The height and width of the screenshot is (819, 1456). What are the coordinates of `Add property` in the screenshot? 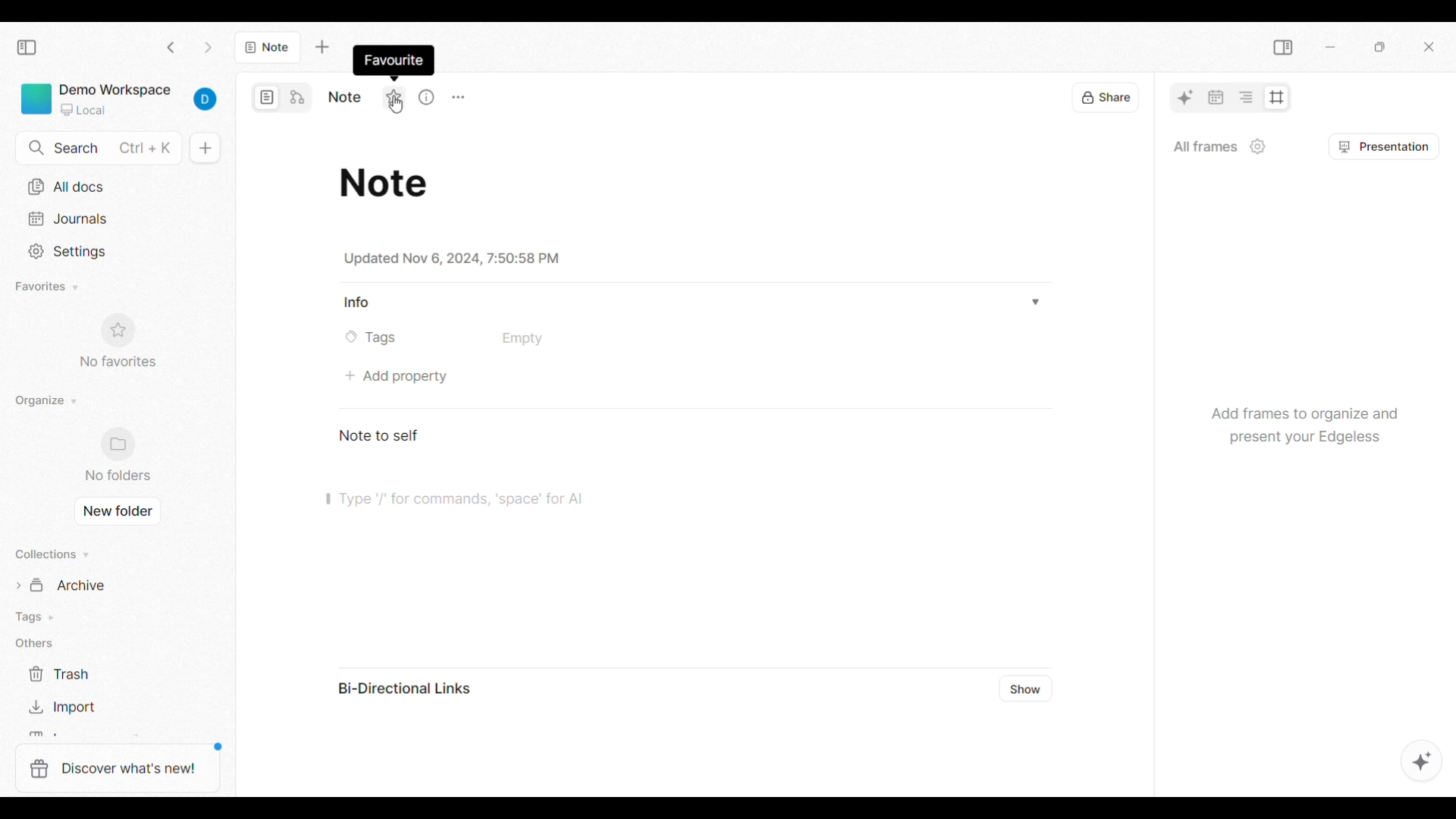 It's located at (397, 377).